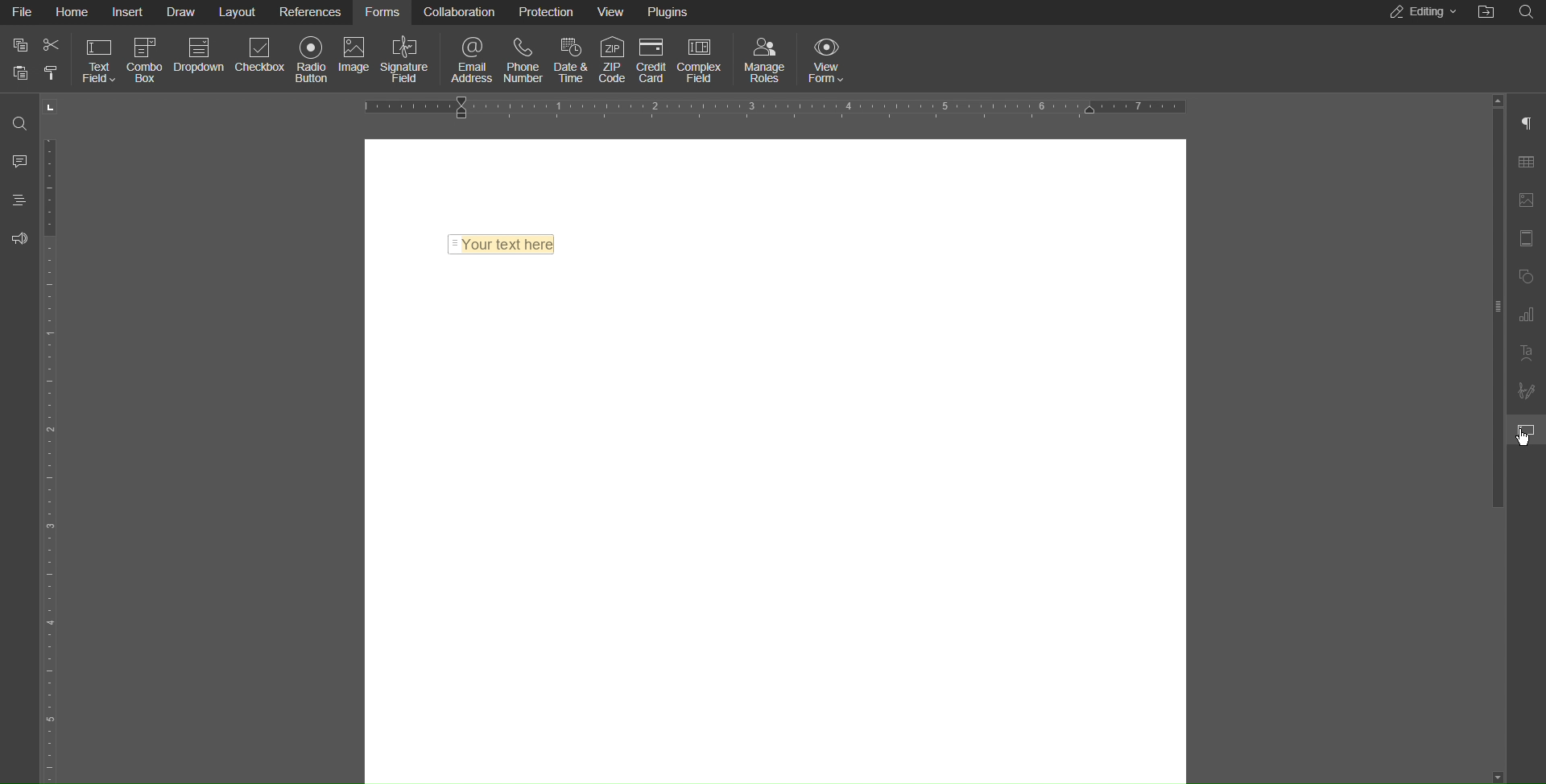 Image resolution: width=1546 pixels, height=784 pixels. I want to click on Forms, so click(384, 14).